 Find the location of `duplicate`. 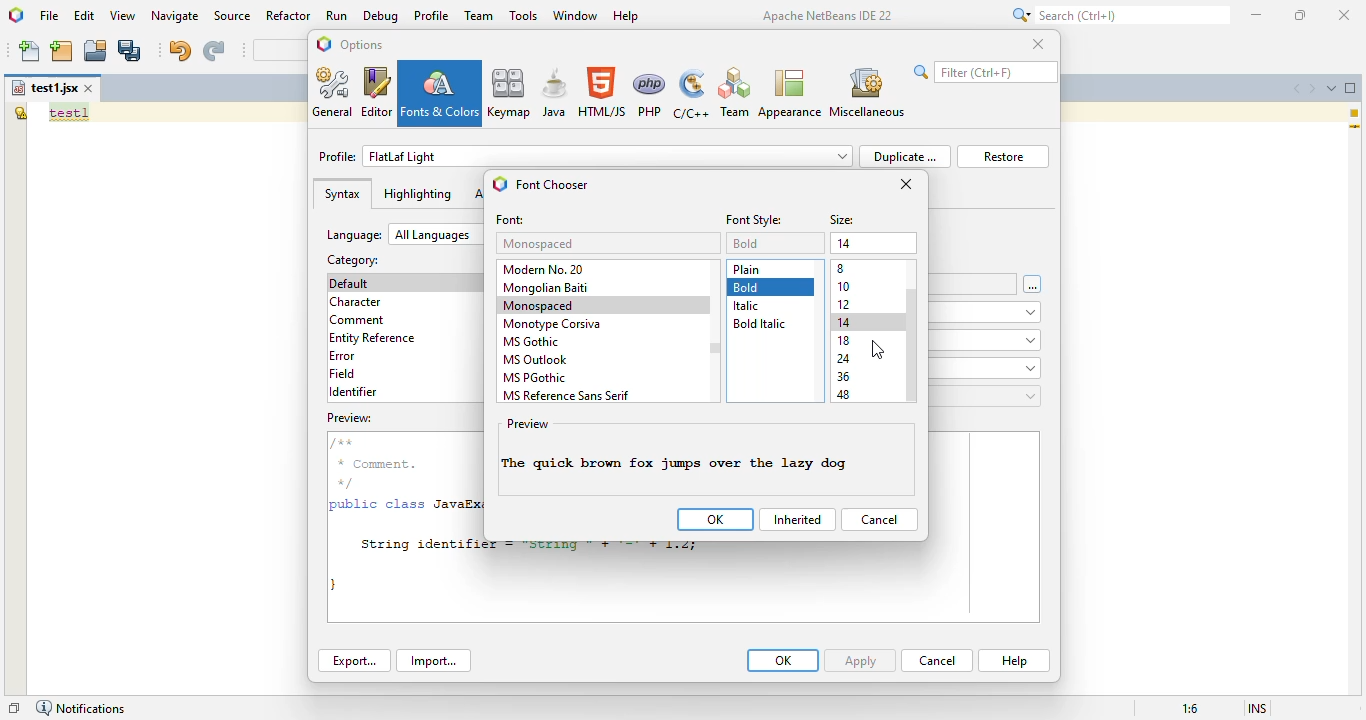

duplicate is located at coordinates (905, 156).